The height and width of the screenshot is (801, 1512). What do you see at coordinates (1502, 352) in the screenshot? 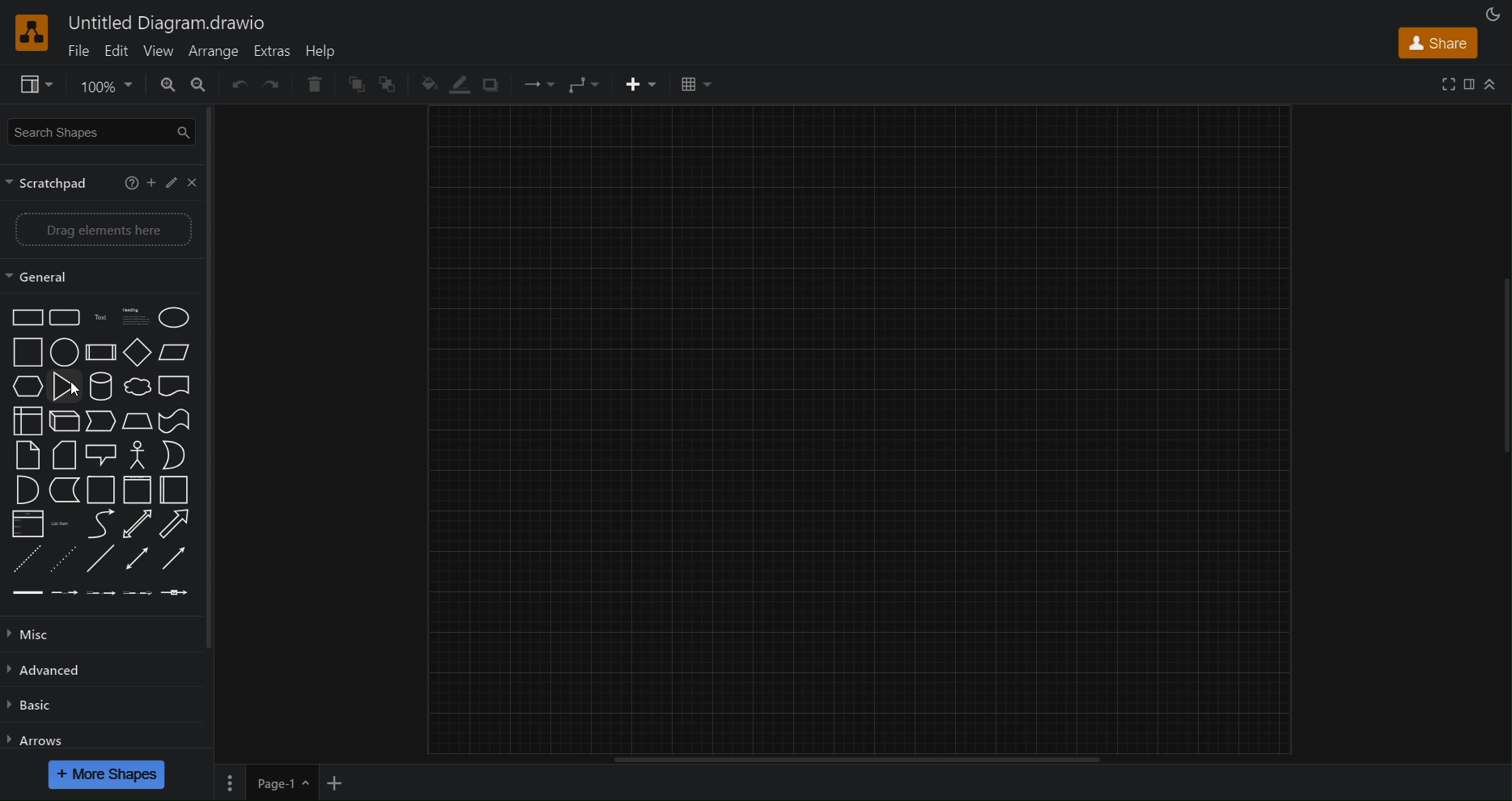
I see `Scrollbar` at bounding box center [1502, 352].